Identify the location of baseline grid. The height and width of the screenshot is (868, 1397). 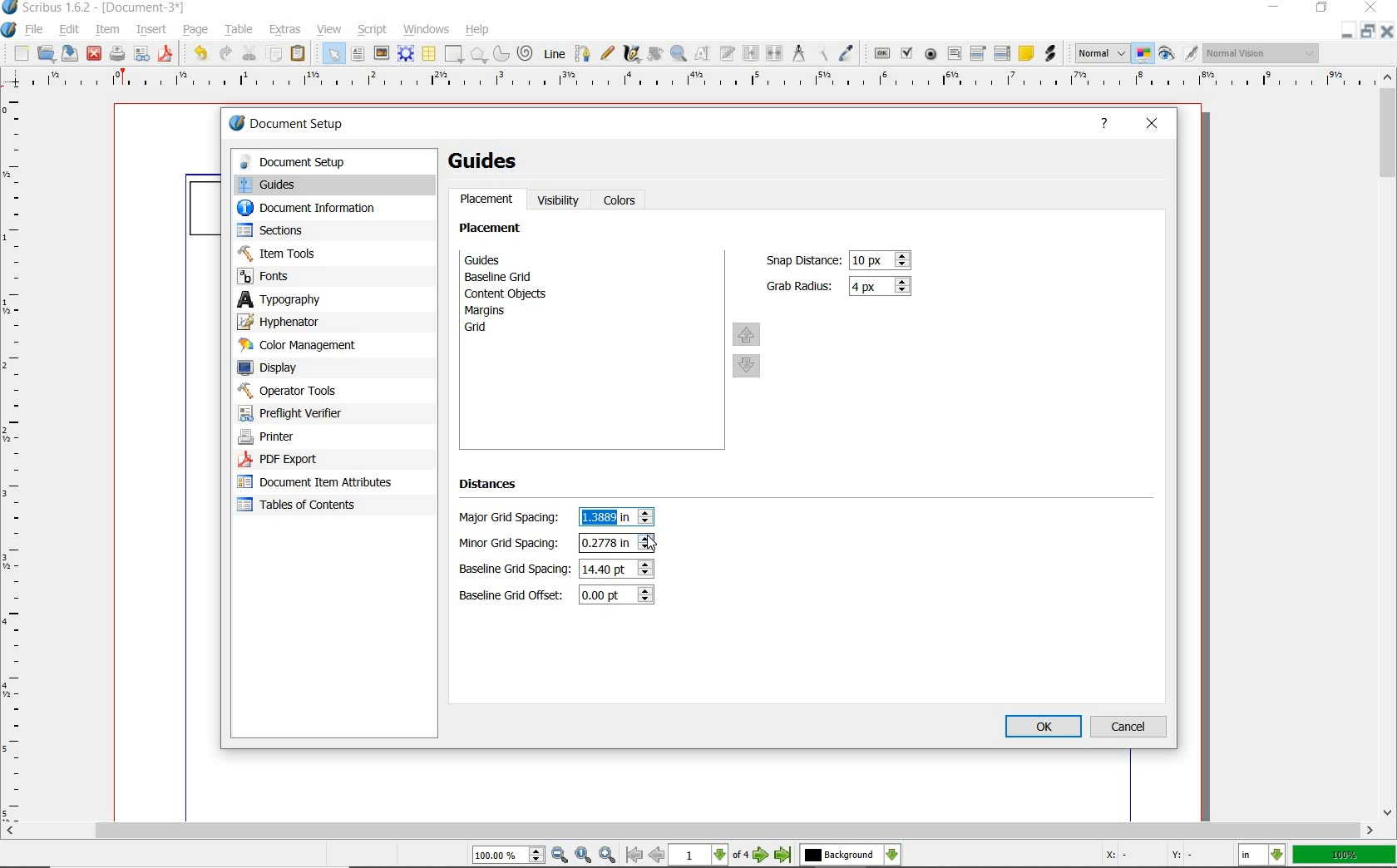
(503, 277).